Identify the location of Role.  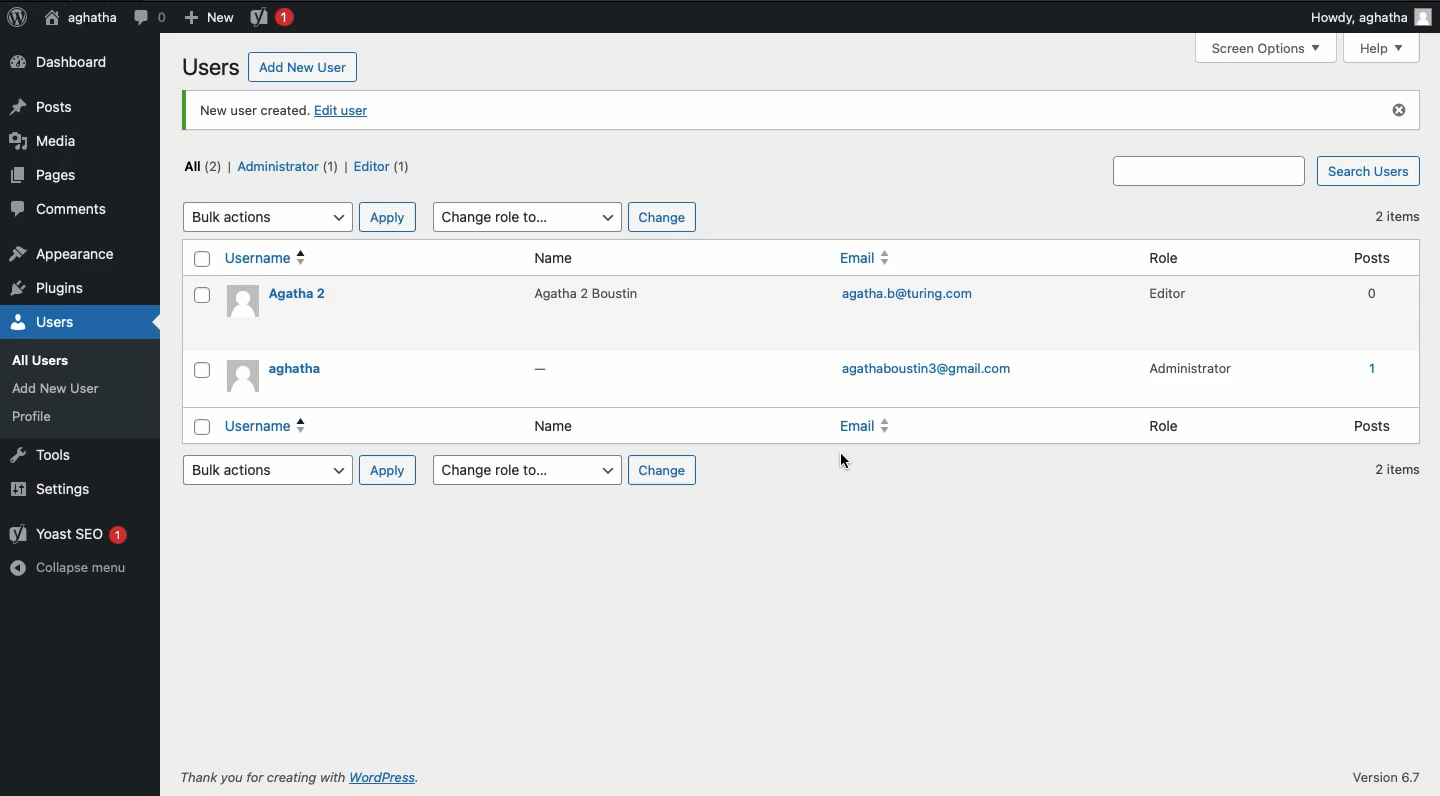
(1164, 429).